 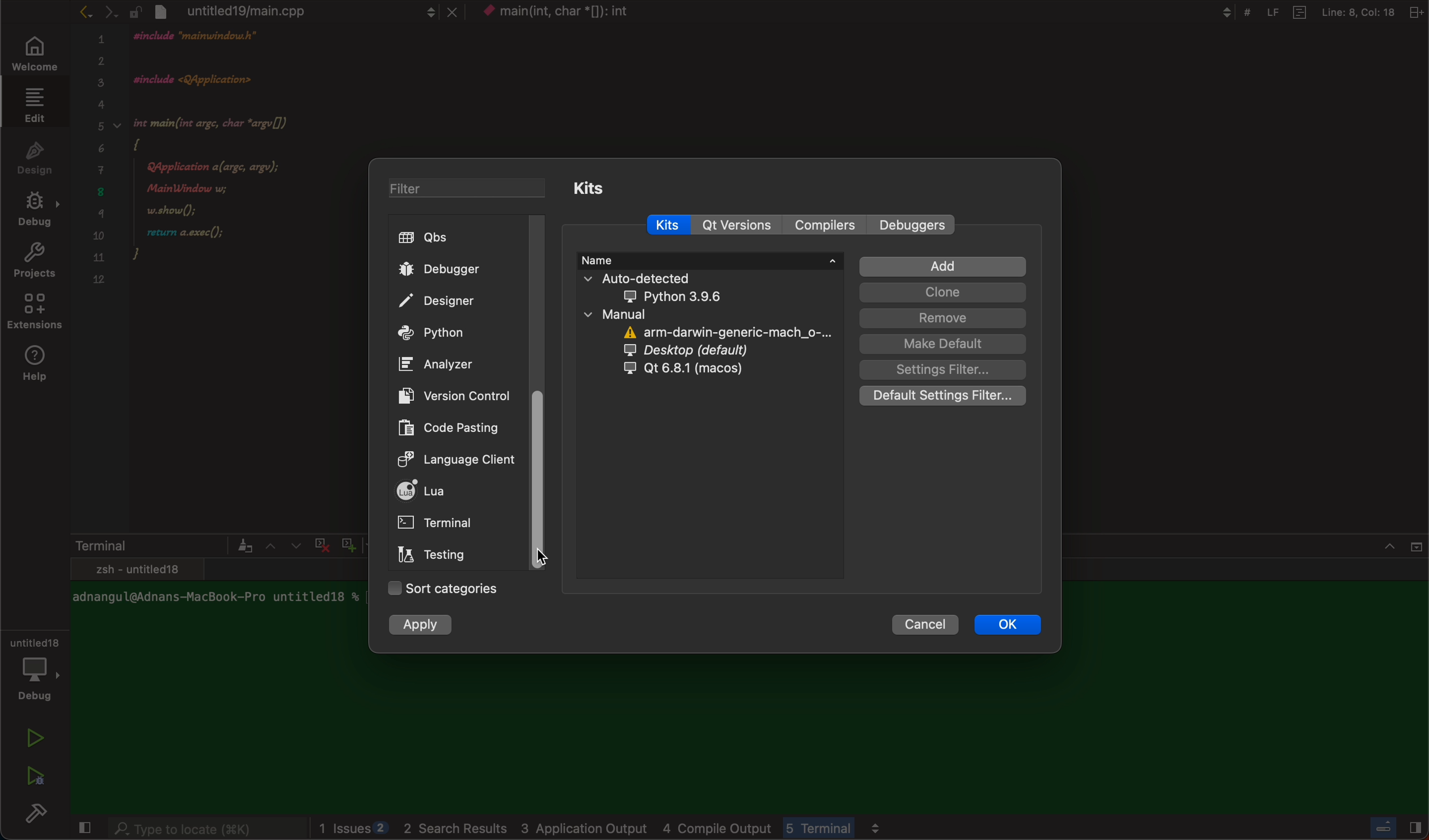 I want to click on kit information, so click(x=715, y=320).